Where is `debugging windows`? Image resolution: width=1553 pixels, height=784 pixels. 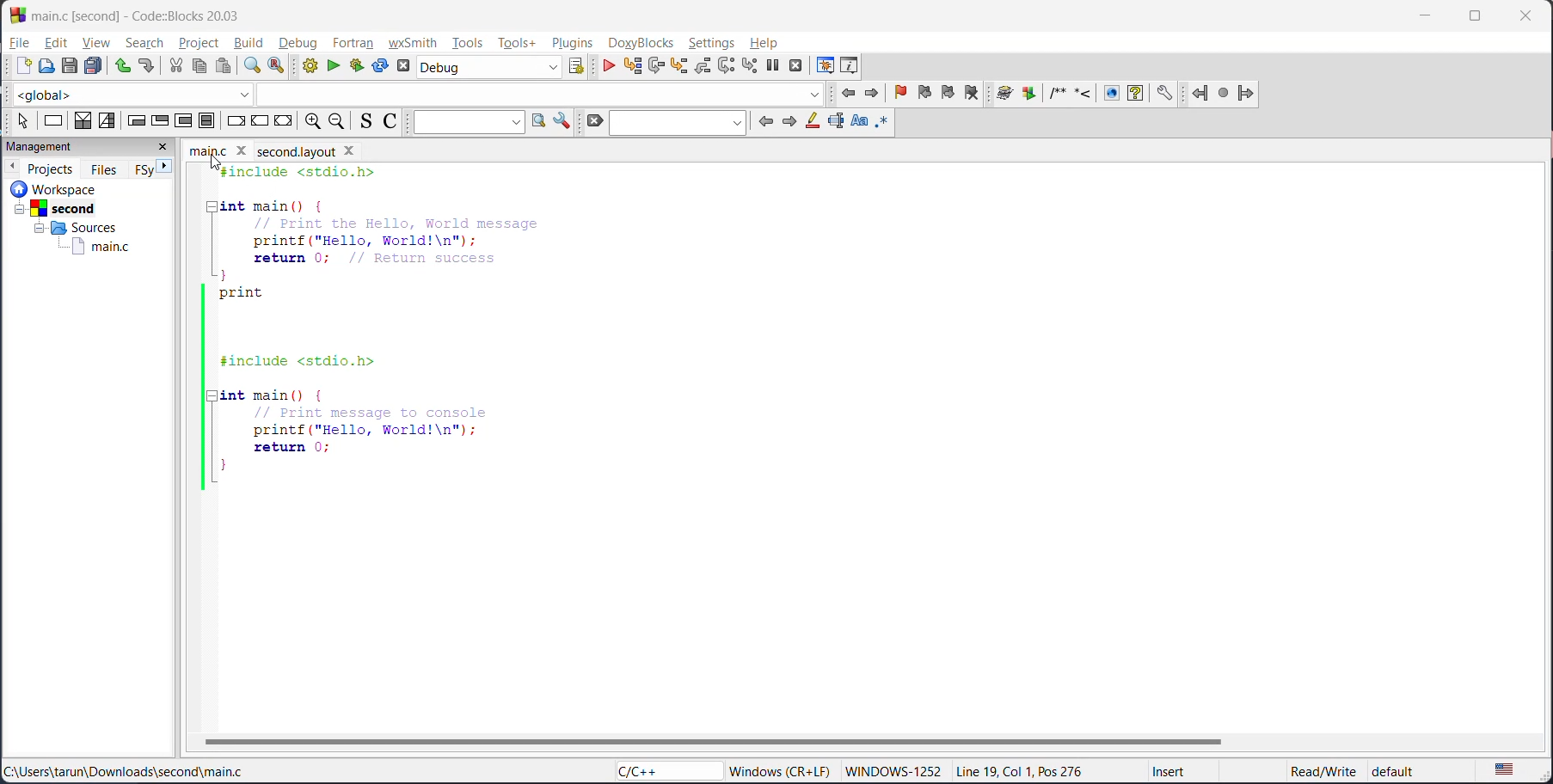
debugging windows is located at coordinates (826, 66).